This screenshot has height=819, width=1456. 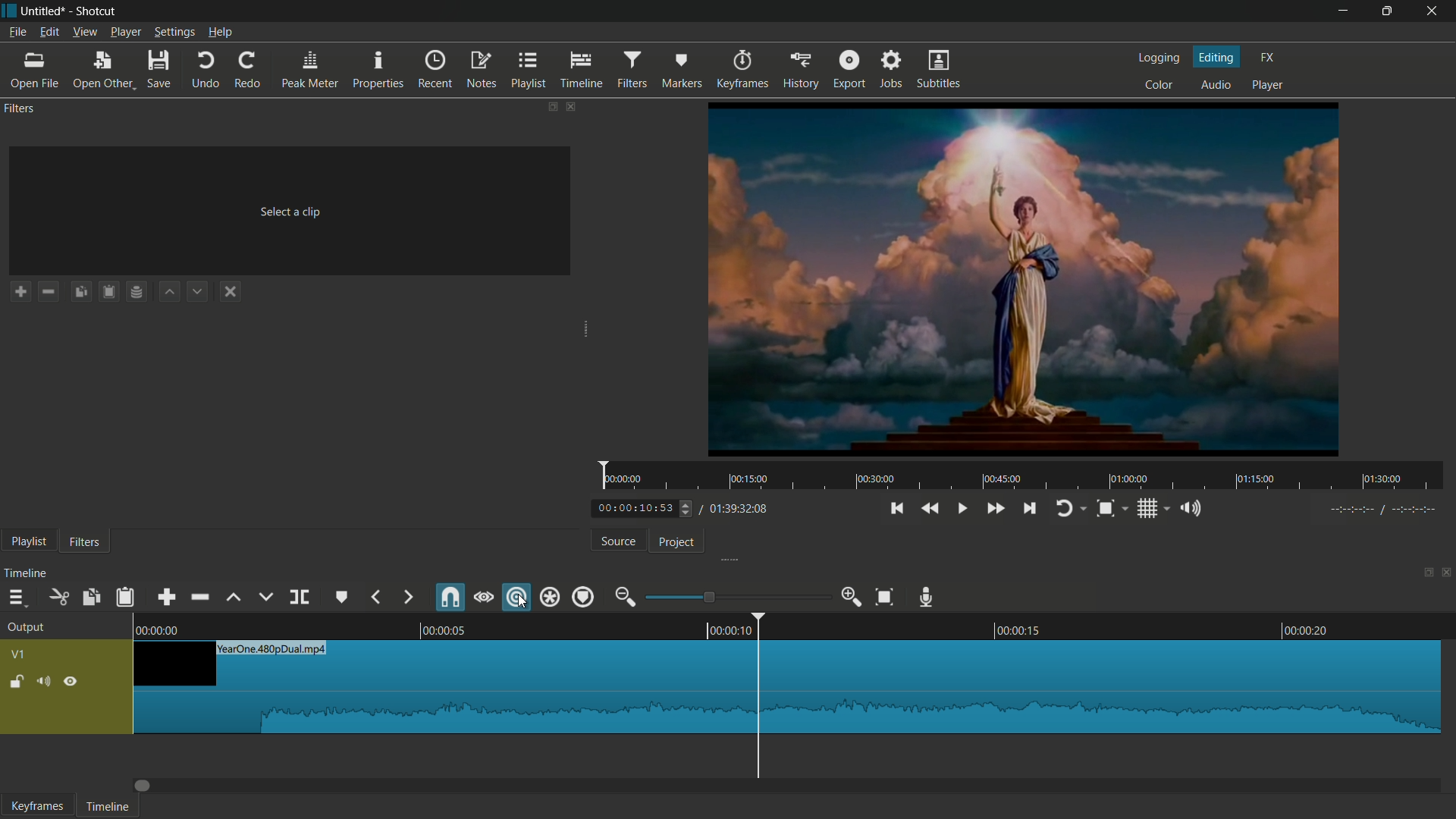 I want to click on deselect a filter, so click(x=229, y=291).